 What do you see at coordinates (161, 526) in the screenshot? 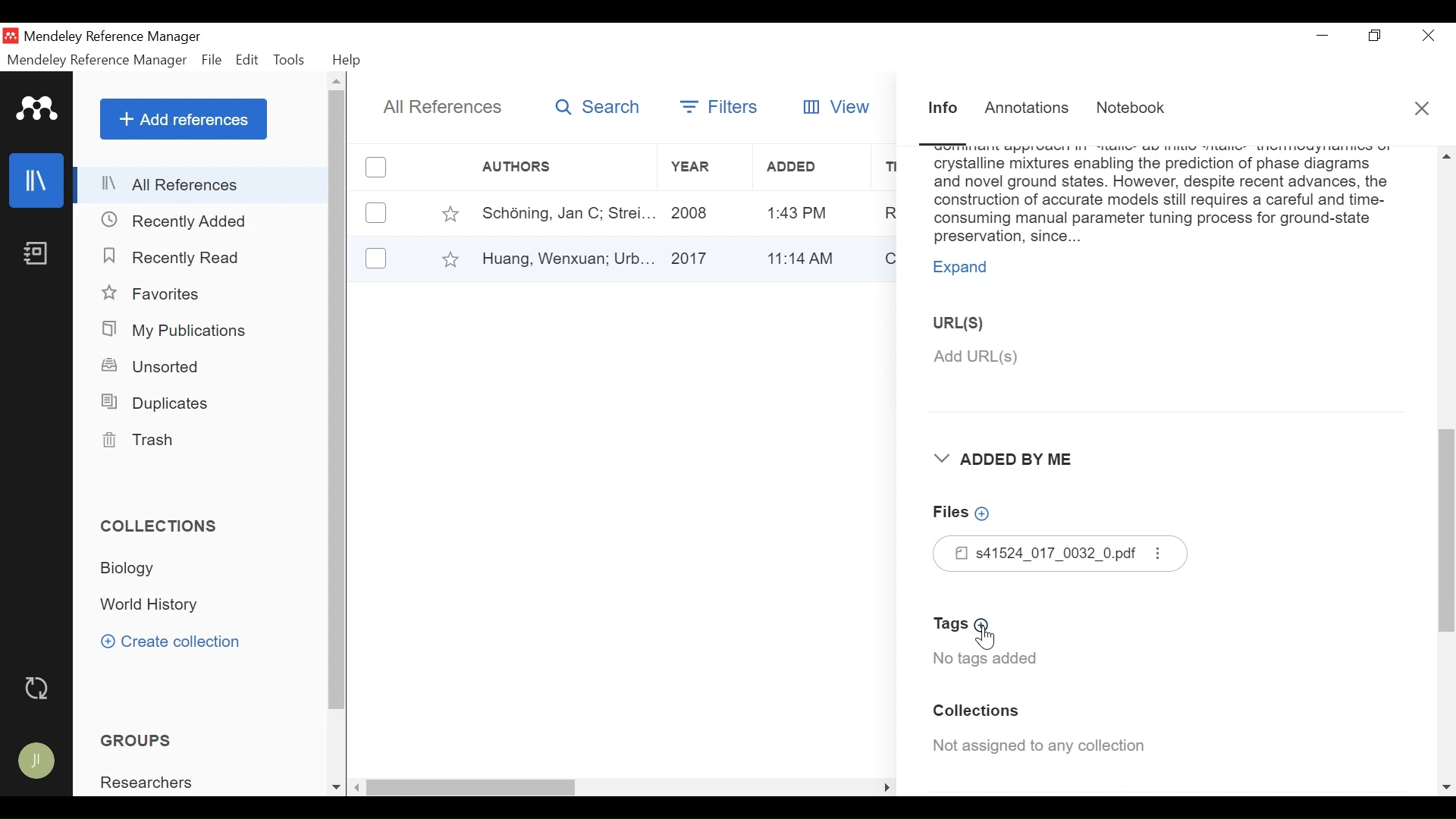
I see `Collections` at bounding box center [161, 526].